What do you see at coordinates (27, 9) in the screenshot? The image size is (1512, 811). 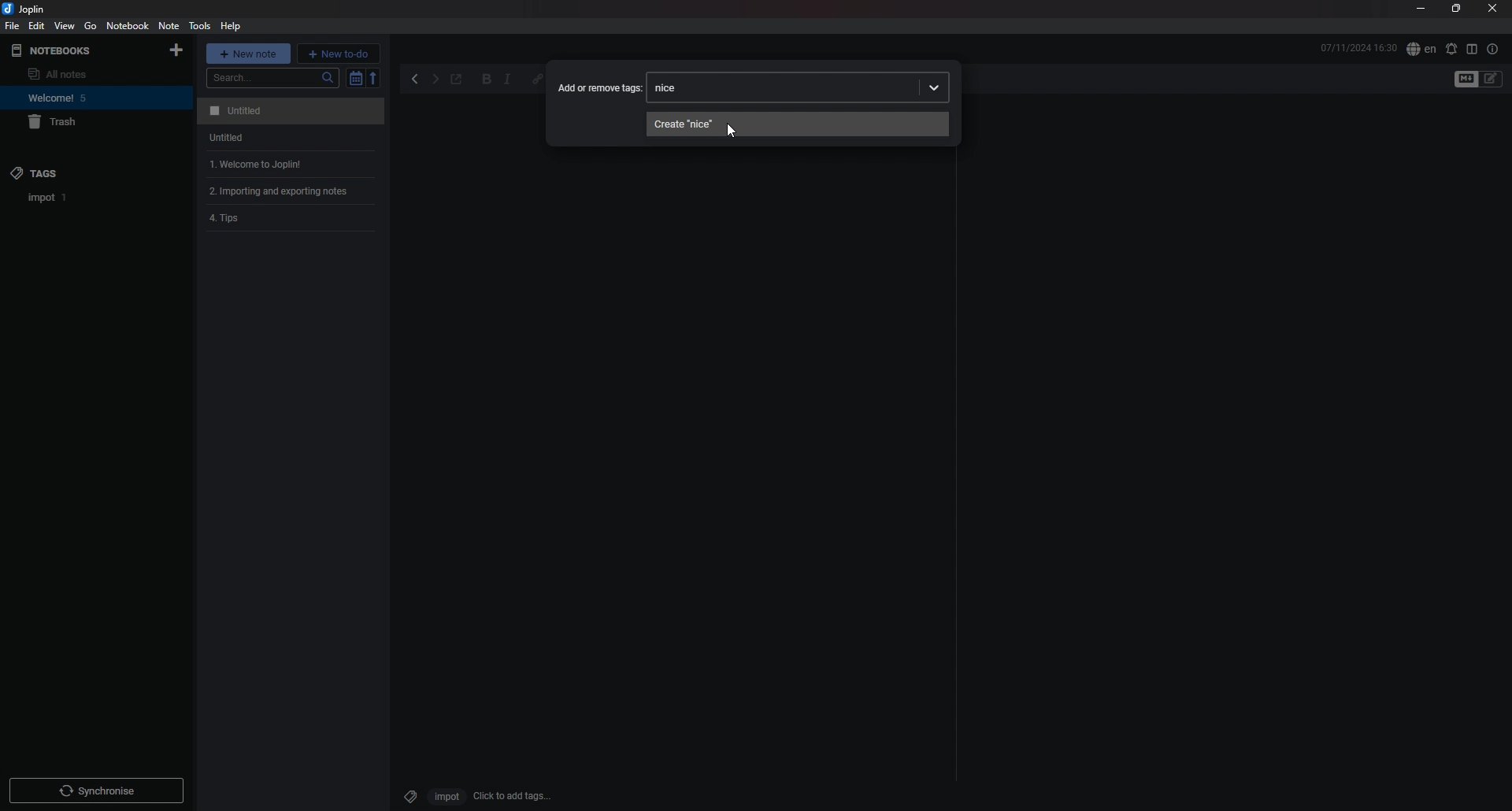 I see `joplin` at bounding box center [27, 9].